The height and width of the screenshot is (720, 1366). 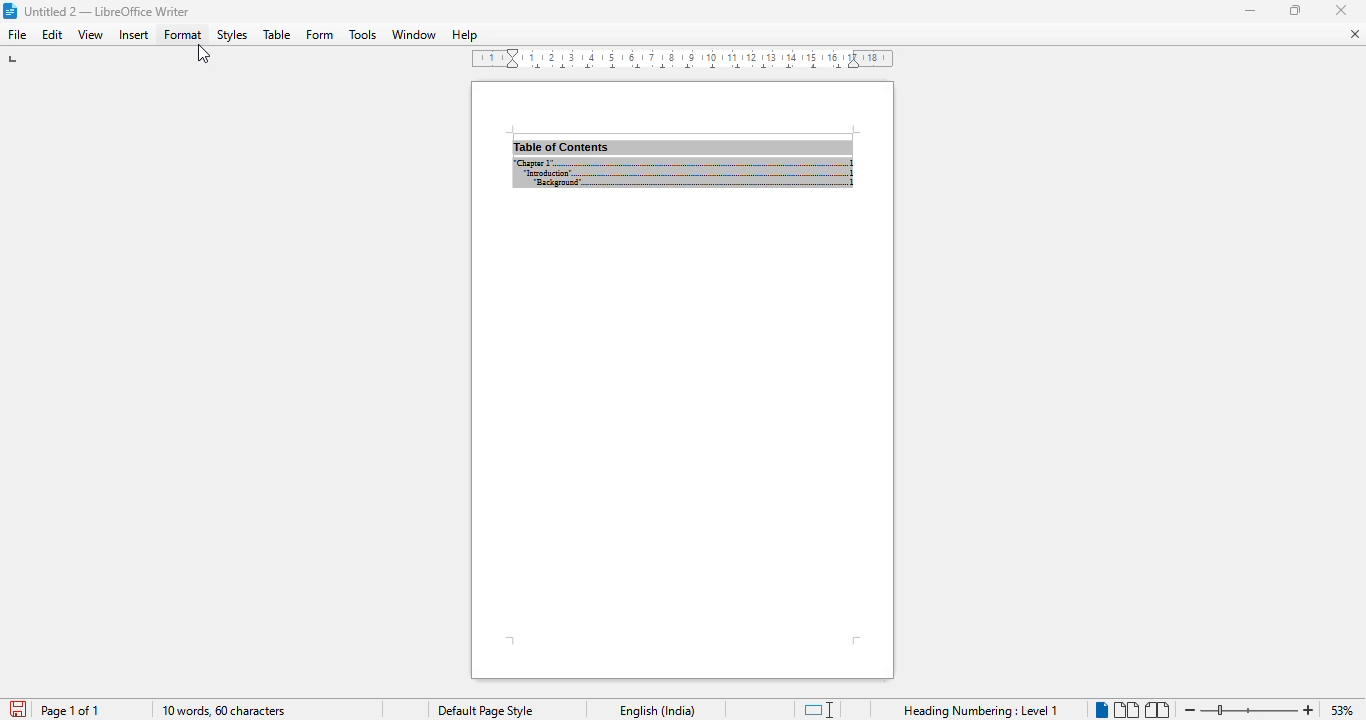 I want to click on file, so click(x=17, y=35).